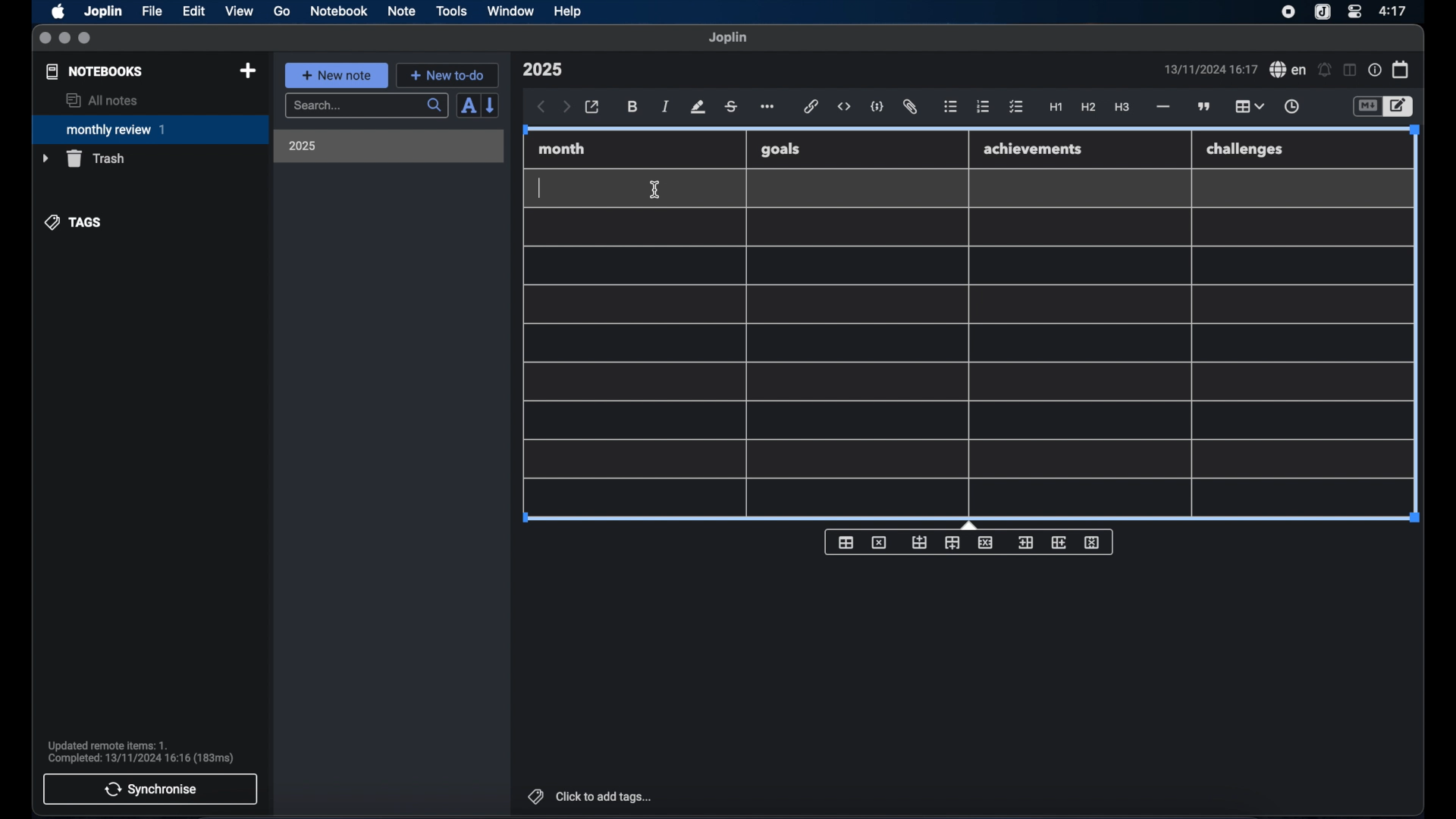 The image size is (1456, 819). Describe the element at coordinates (1025, 543) in the screenshot. I see `insert column before` at that location.